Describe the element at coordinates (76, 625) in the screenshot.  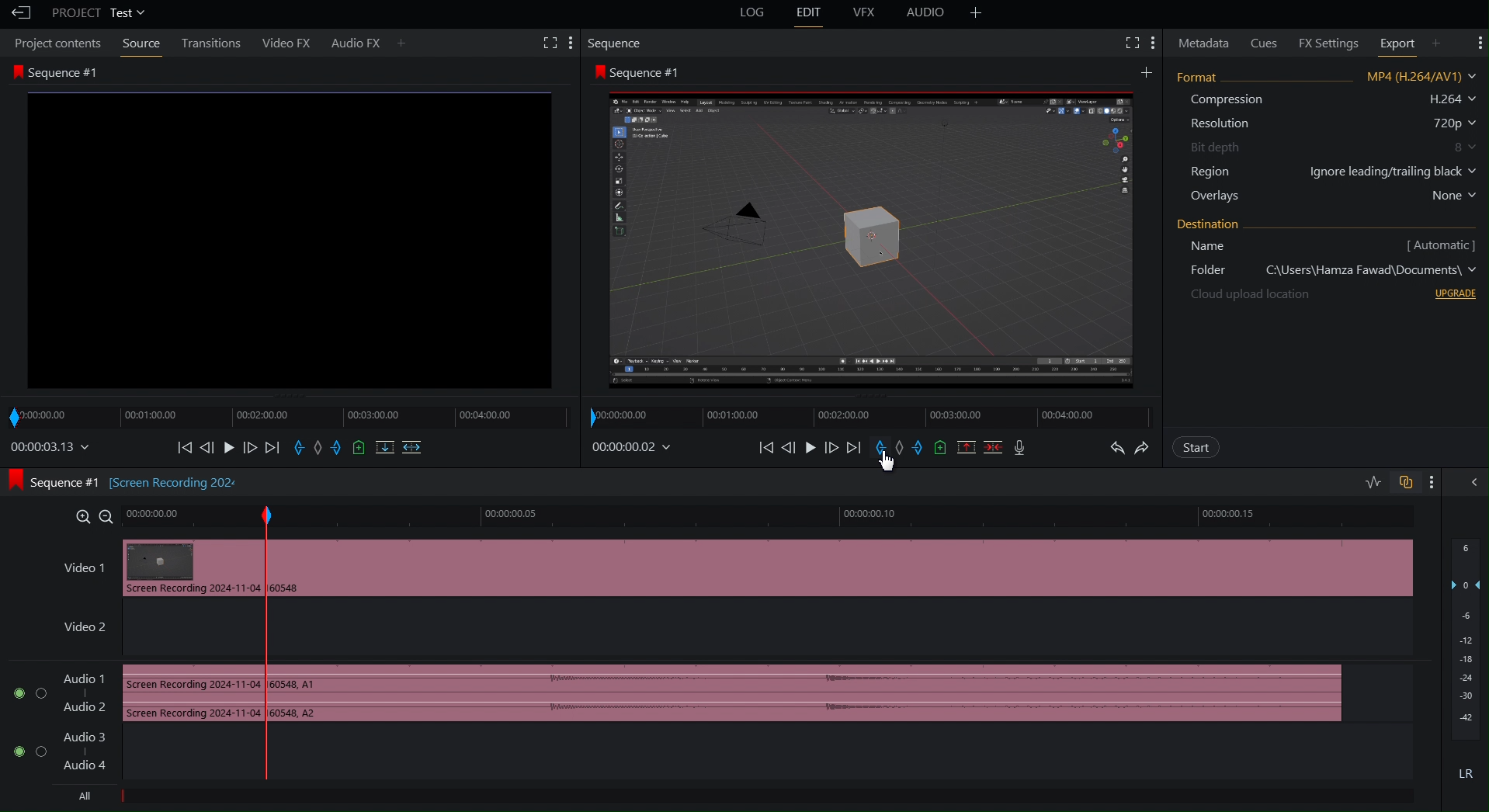
I see `Video 2` at that location.